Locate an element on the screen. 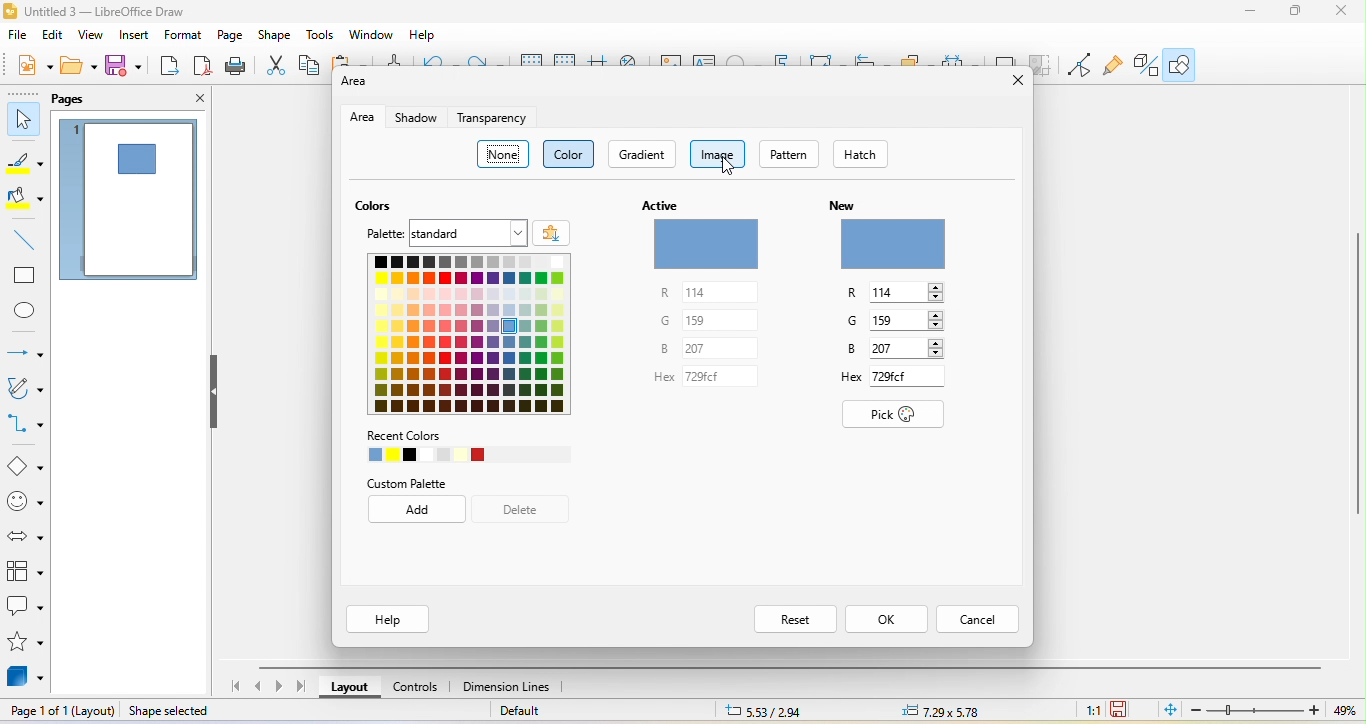 Image resolution: width=1366 pixels, height=724 pixels. pick is located at coordinates (896, 418).